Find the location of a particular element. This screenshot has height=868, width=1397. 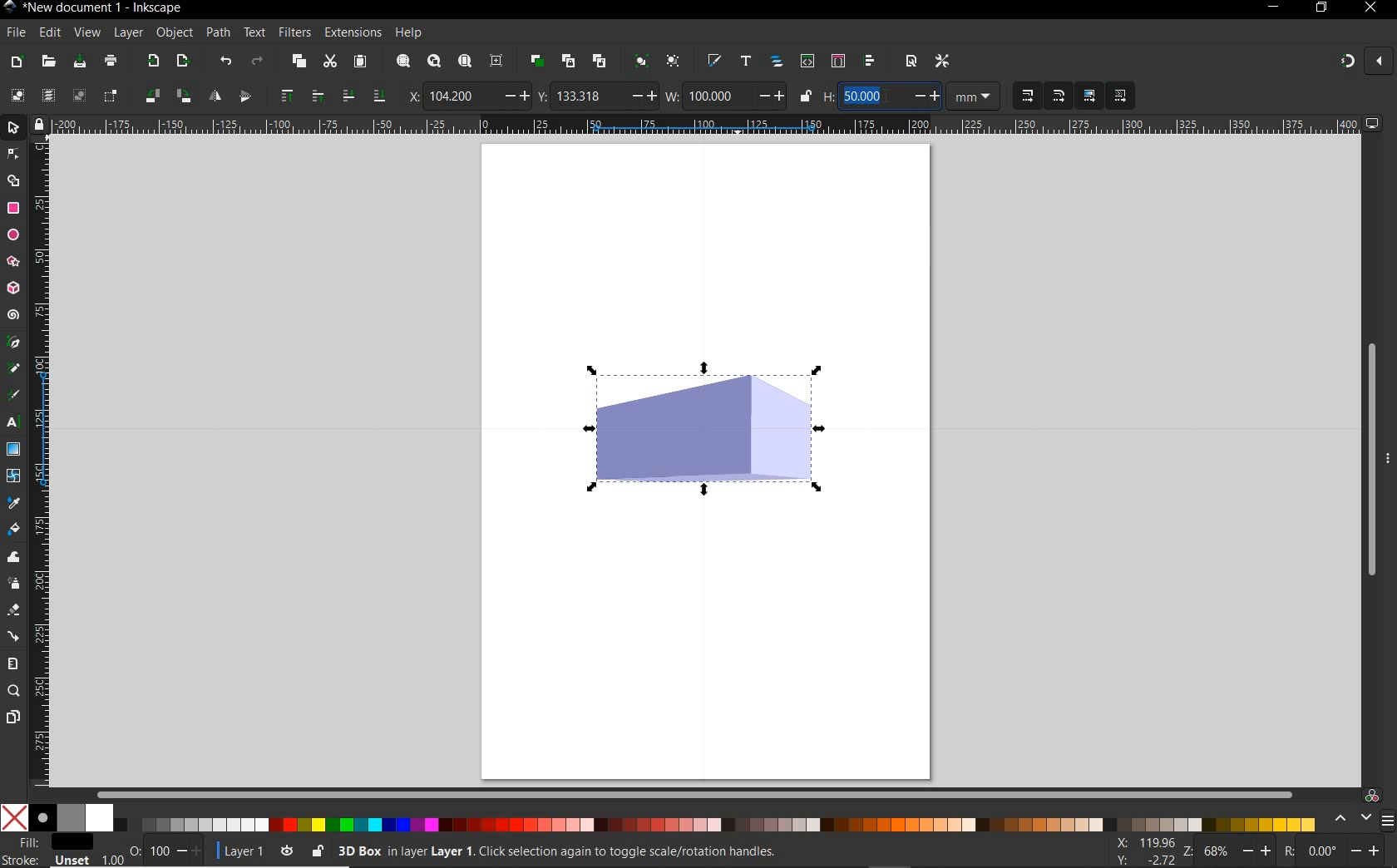

unlink clone is located at coordinates (598, 61).